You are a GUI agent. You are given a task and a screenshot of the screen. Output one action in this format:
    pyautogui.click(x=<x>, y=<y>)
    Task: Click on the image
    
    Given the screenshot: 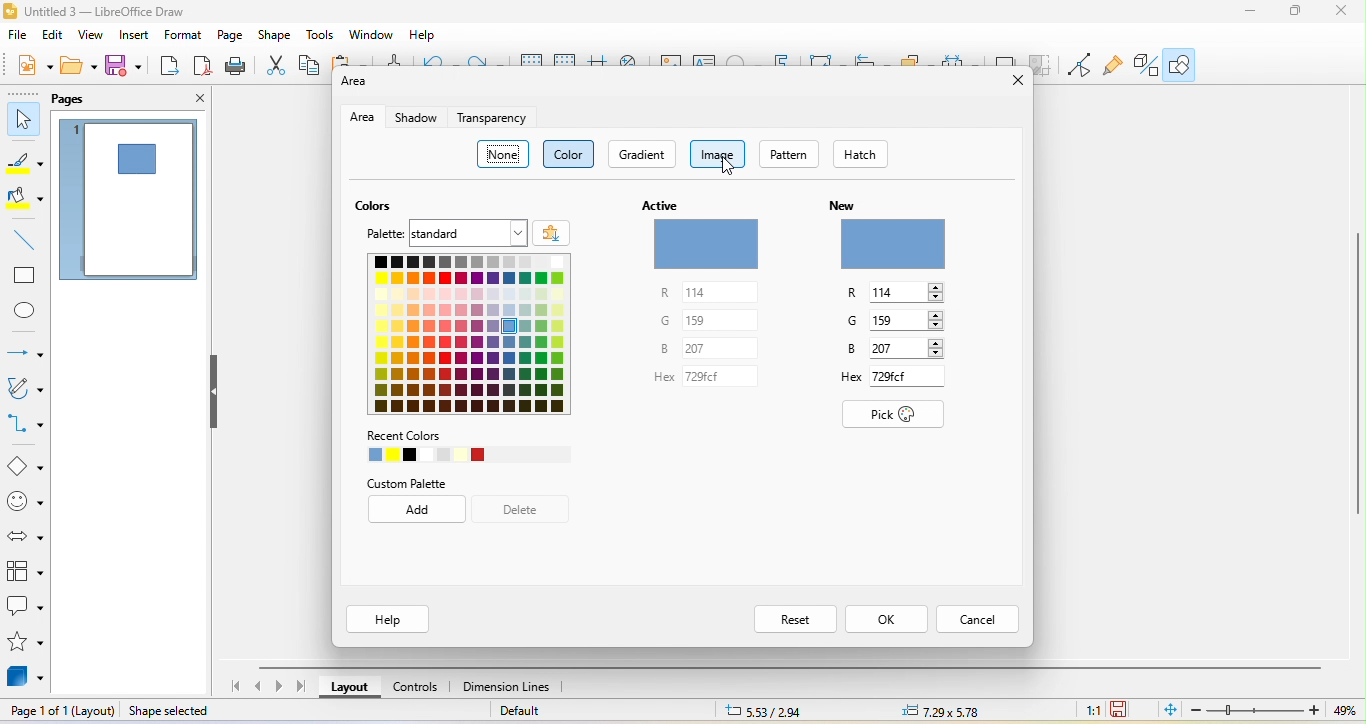 What is the action you would take?
    pyautogui.click(x=722, y=156)
    